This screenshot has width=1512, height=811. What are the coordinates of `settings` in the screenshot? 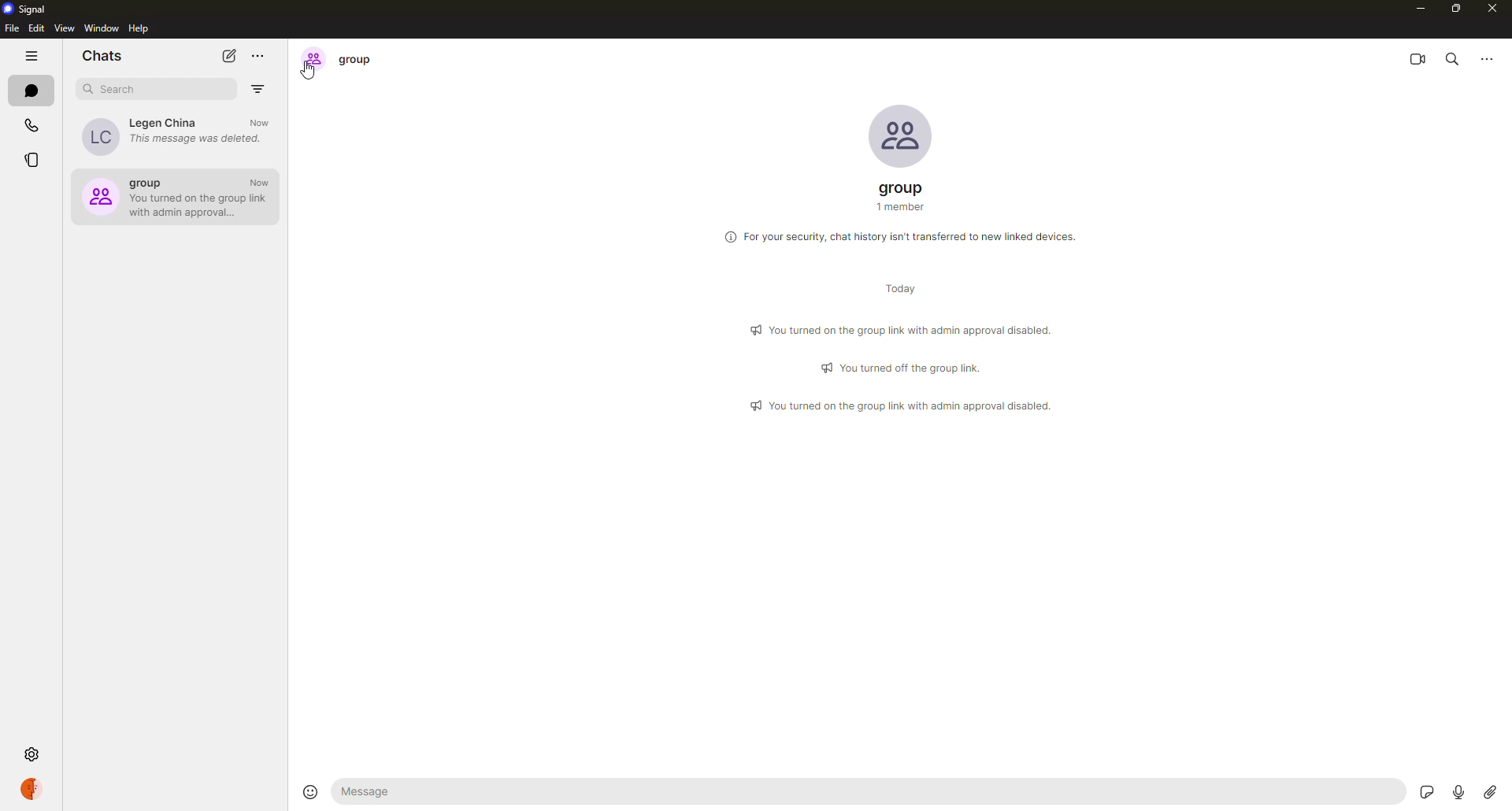 It's located at (33, 754).